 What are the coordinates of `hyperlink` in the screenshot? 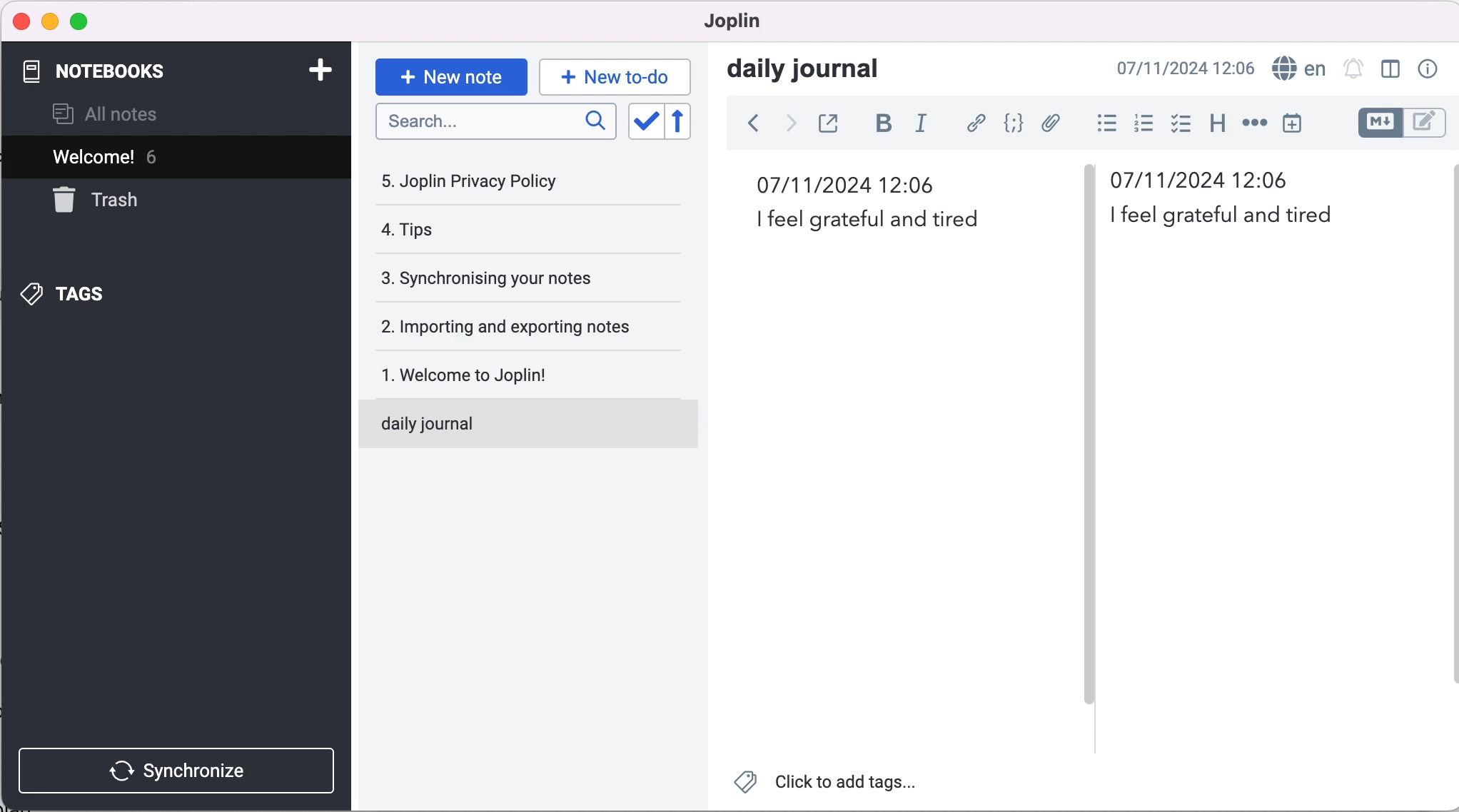 It's located at (972, 123).